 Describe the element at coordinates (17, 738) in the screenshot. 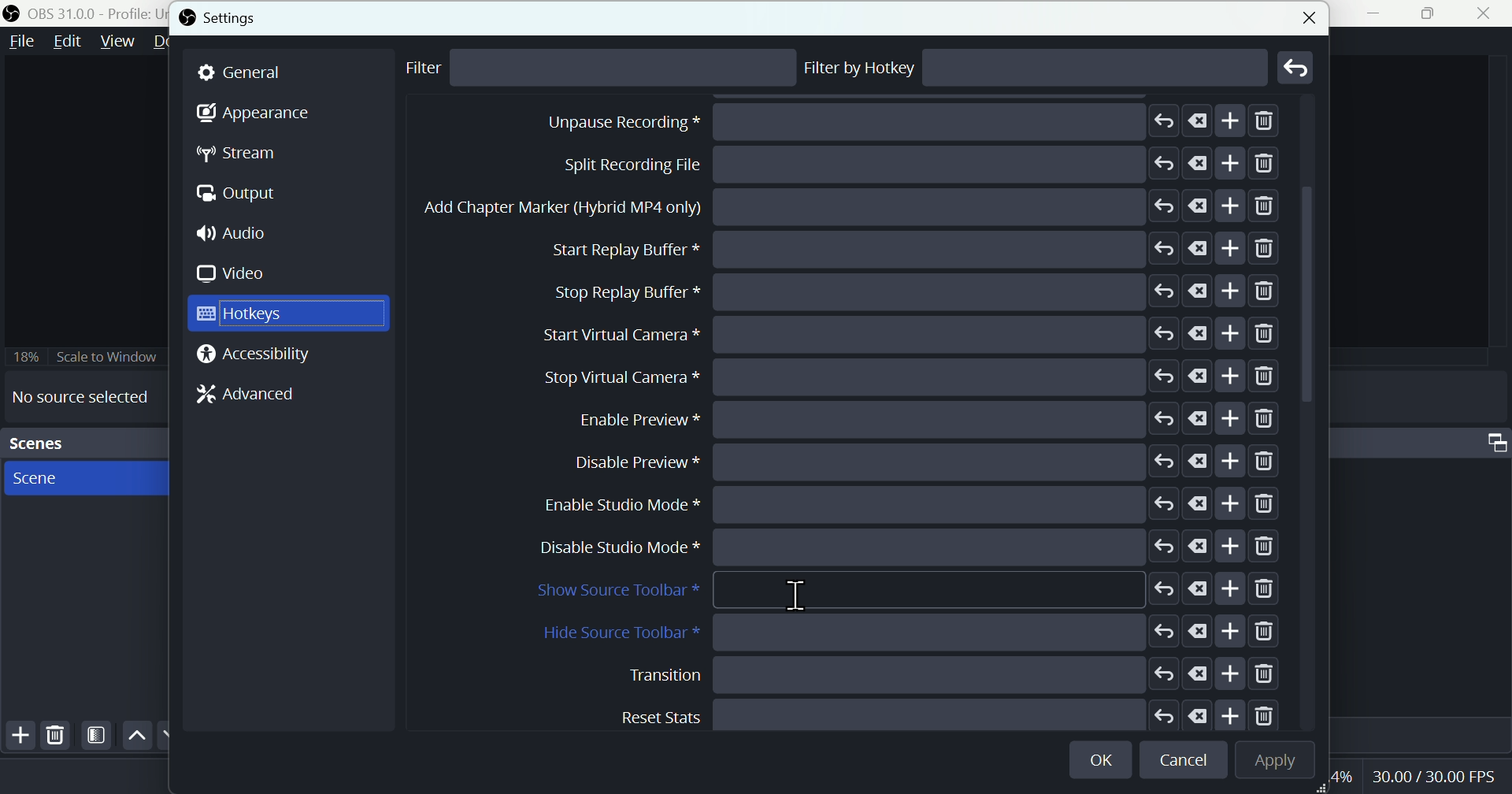

I see `Add` at that location.